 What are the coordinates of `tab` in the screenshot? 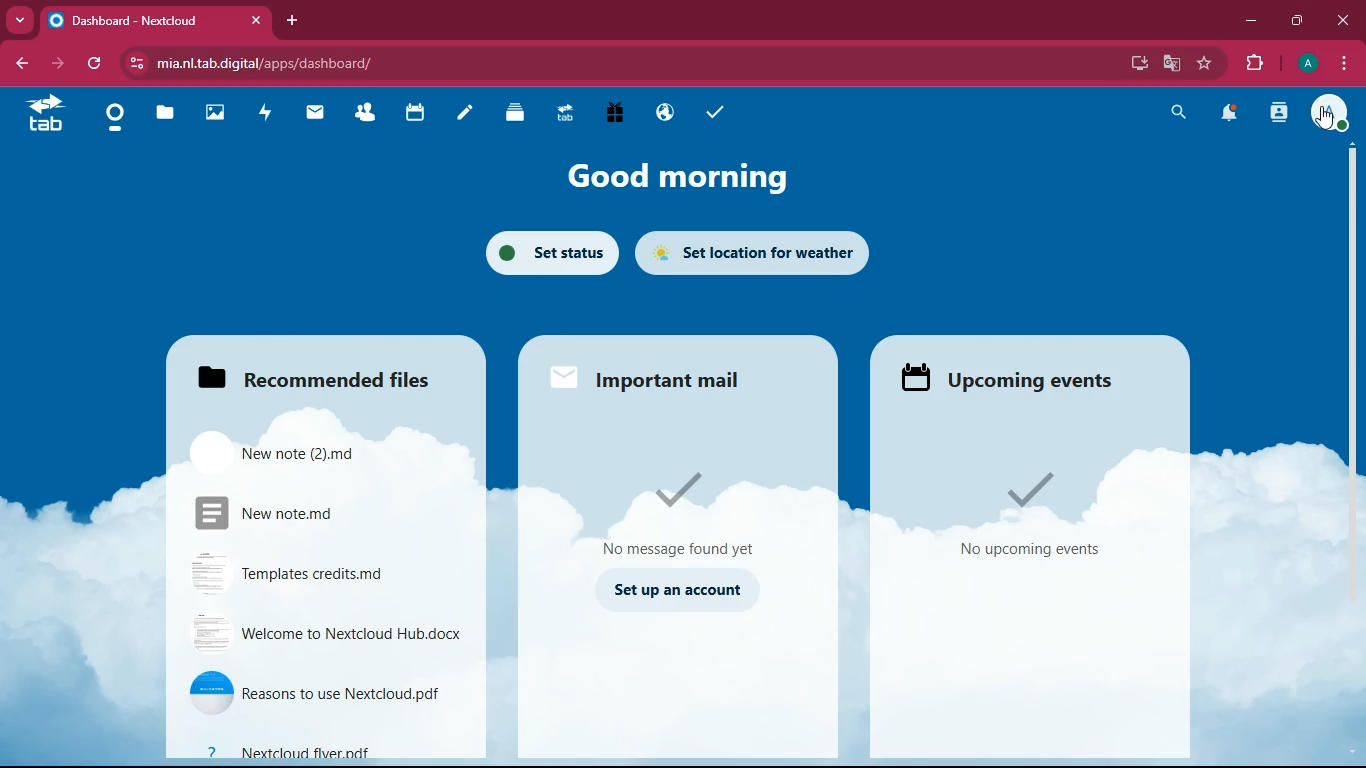 It's located at (561, 112).